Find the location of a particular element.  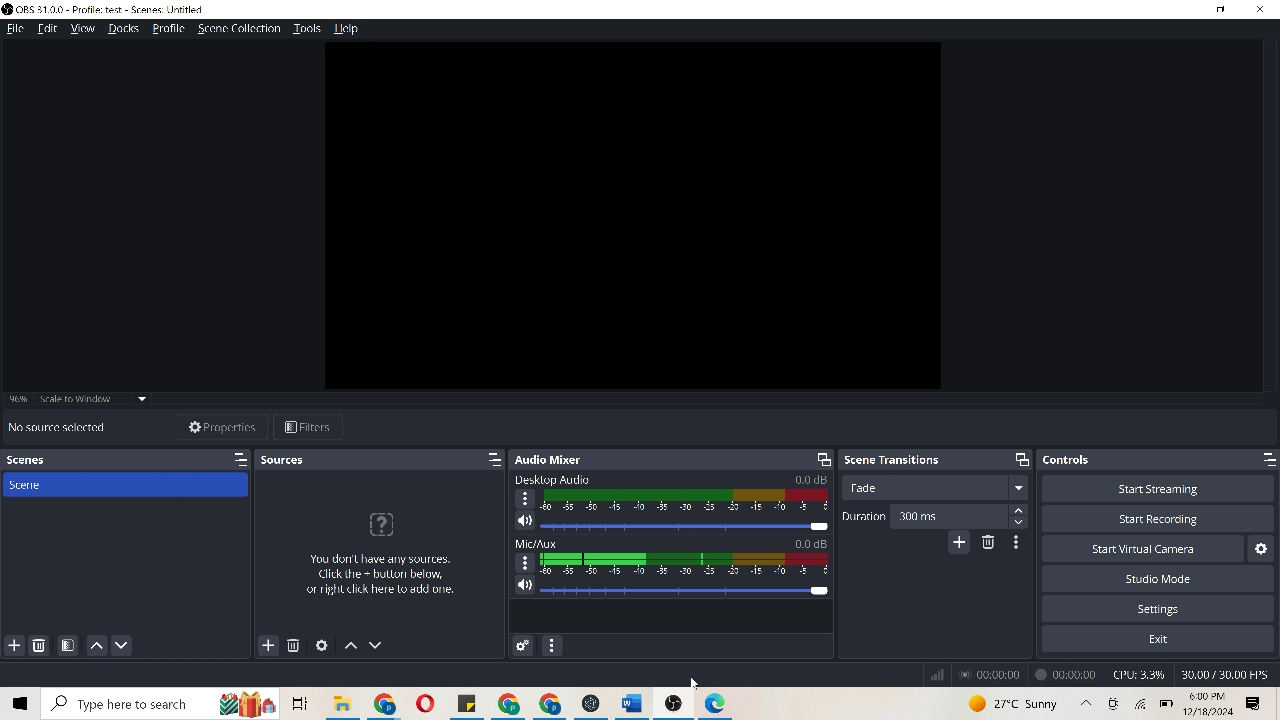

move sources up is located at coordinates (350, 647).